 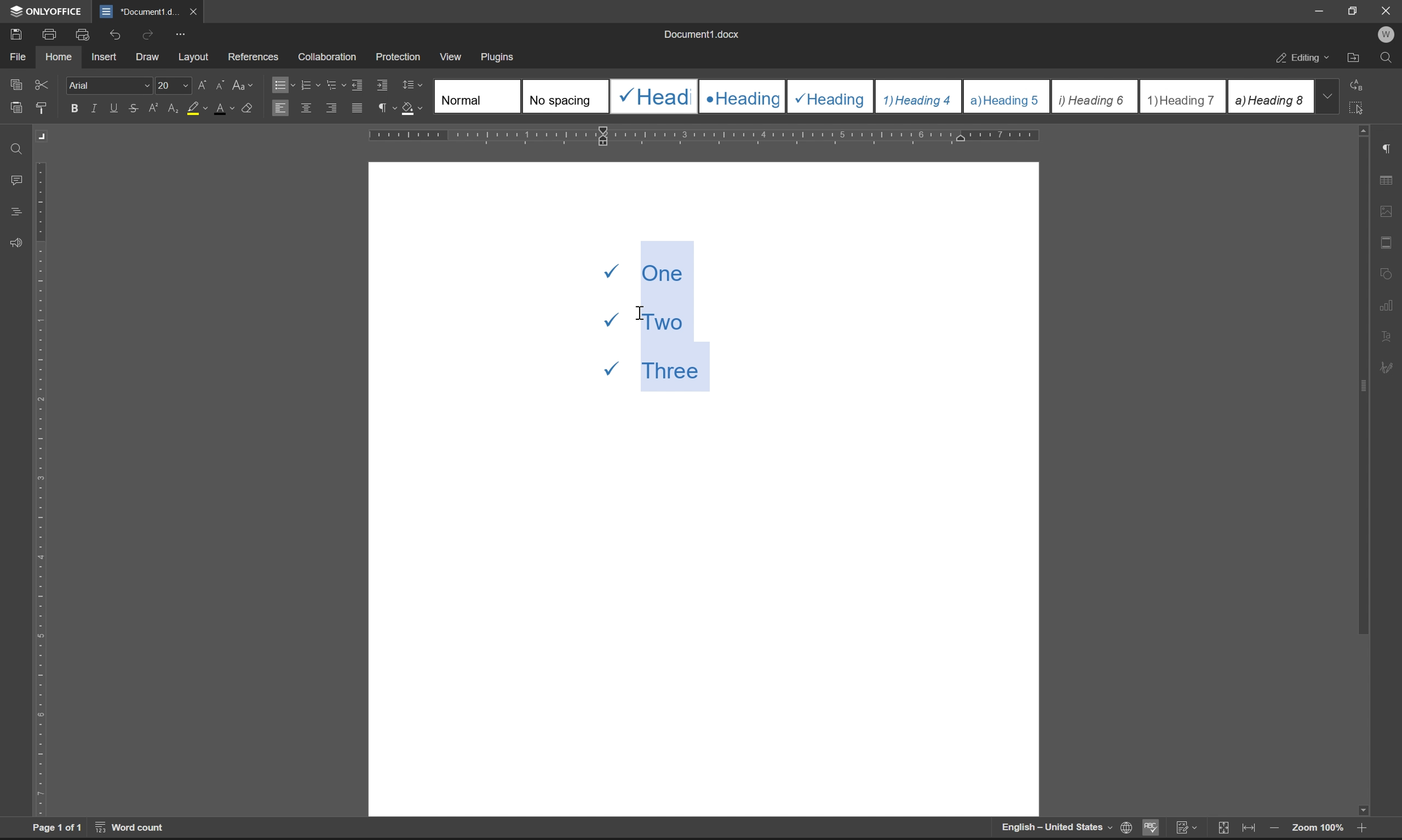 I want to click on bullets, so click(x=282, y=84).